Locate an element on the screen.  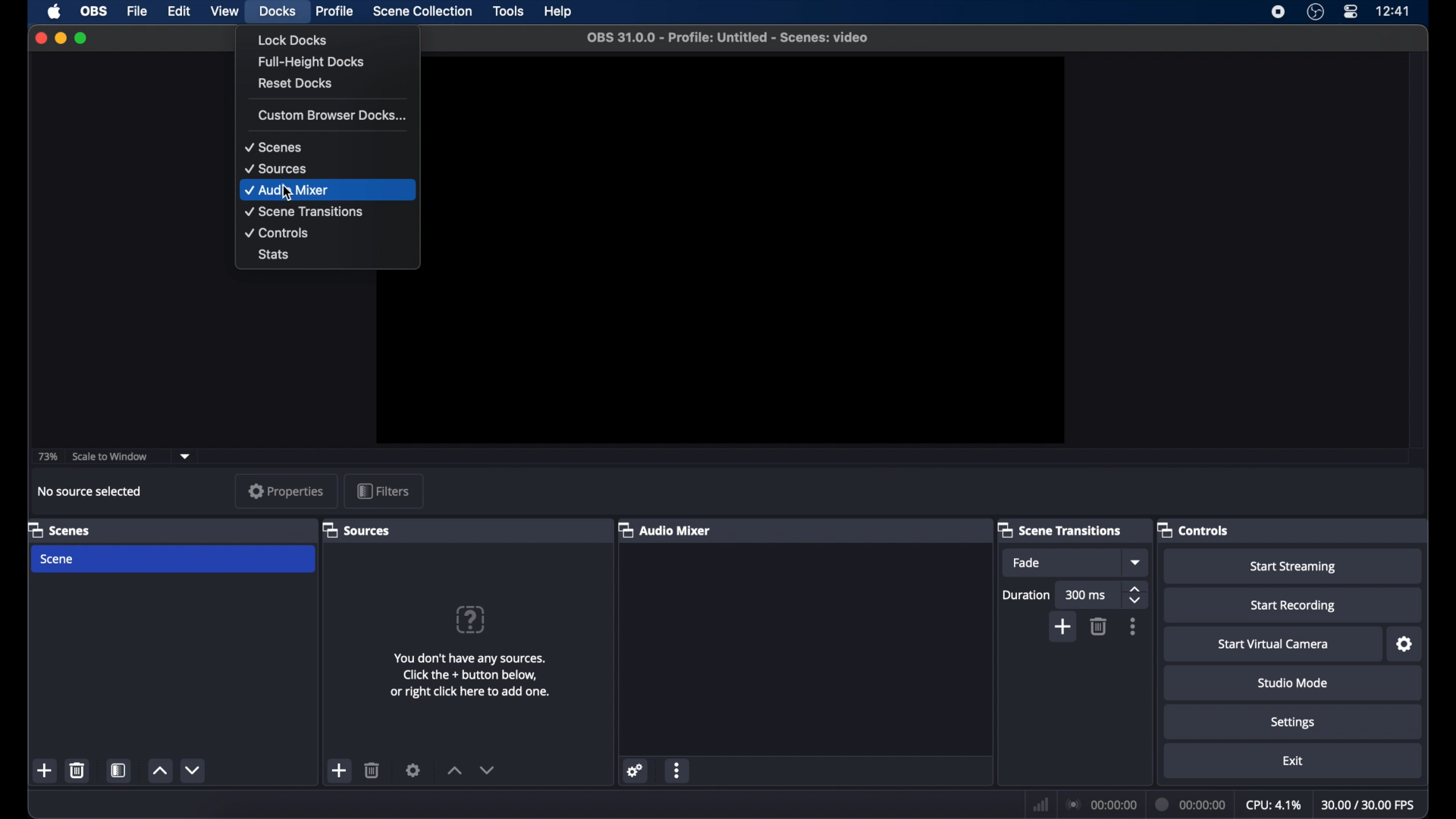
add is located at coordinates (45, 770).